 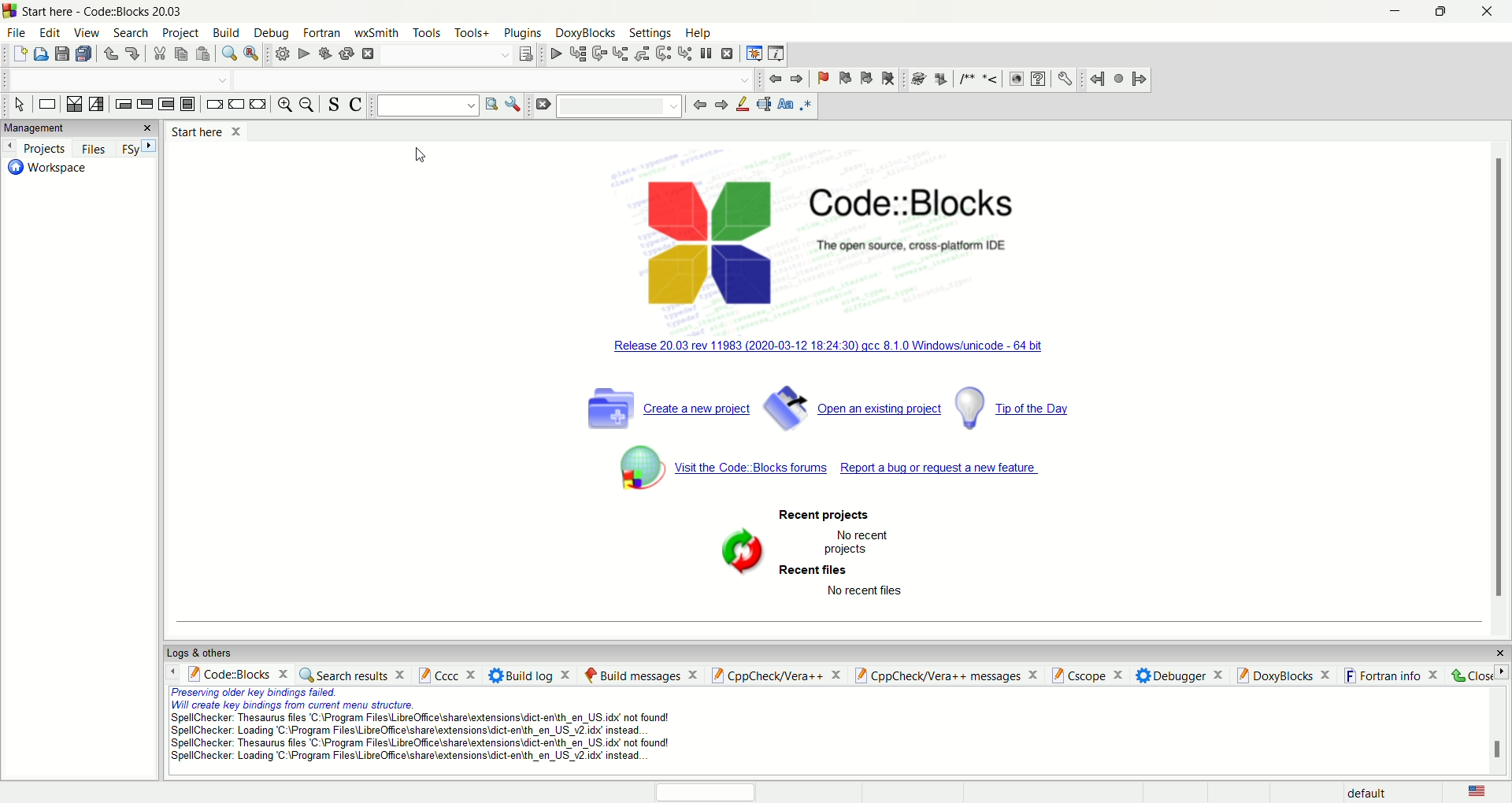 What do you see at coordinates (525, 34) in the screenshot?
I see `plugins` at bounding box center [525, 34].